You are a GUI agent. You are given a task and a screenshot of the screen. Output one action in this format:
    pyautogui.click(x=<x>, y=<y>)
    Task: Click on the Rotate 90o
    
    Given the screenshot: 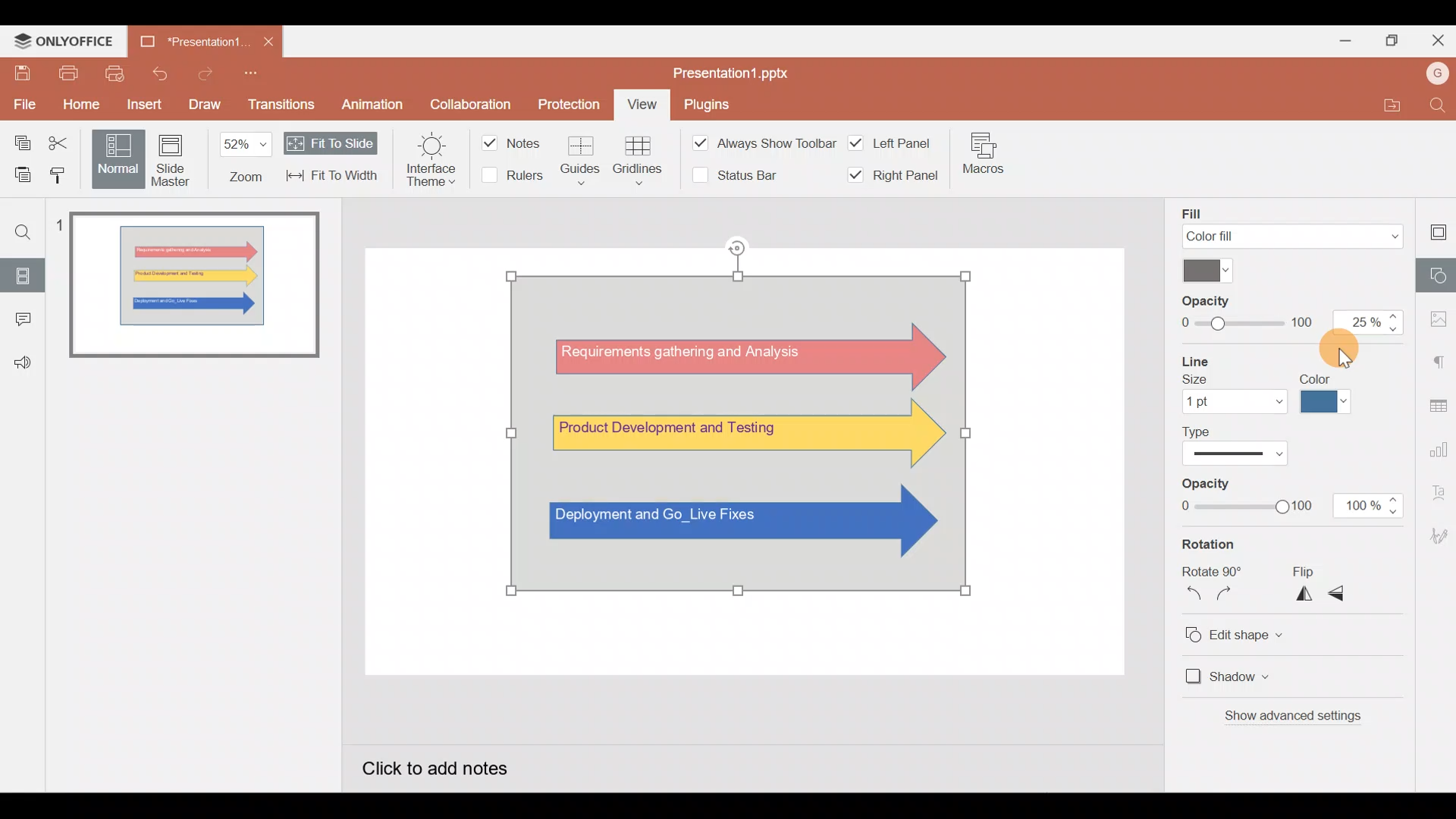 What is the action you would take?
    pyautogui.click(x=1211, y=570)
    